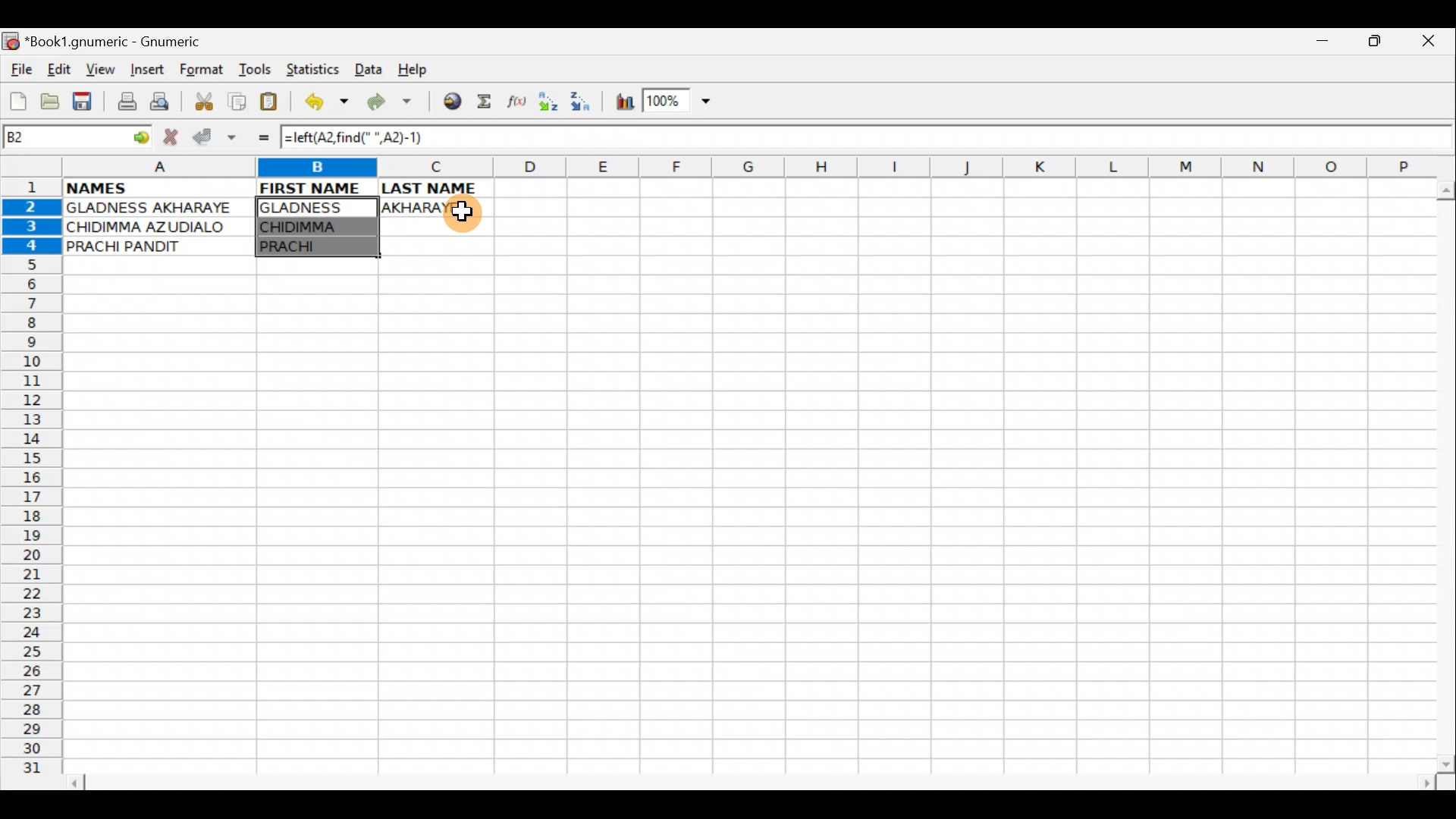 Image resolution: width=1456 pixels, height=819 pixels. Describe the element at coordinates (11, 42) in the screenshot. I see `Gnumeric logo` at that location.